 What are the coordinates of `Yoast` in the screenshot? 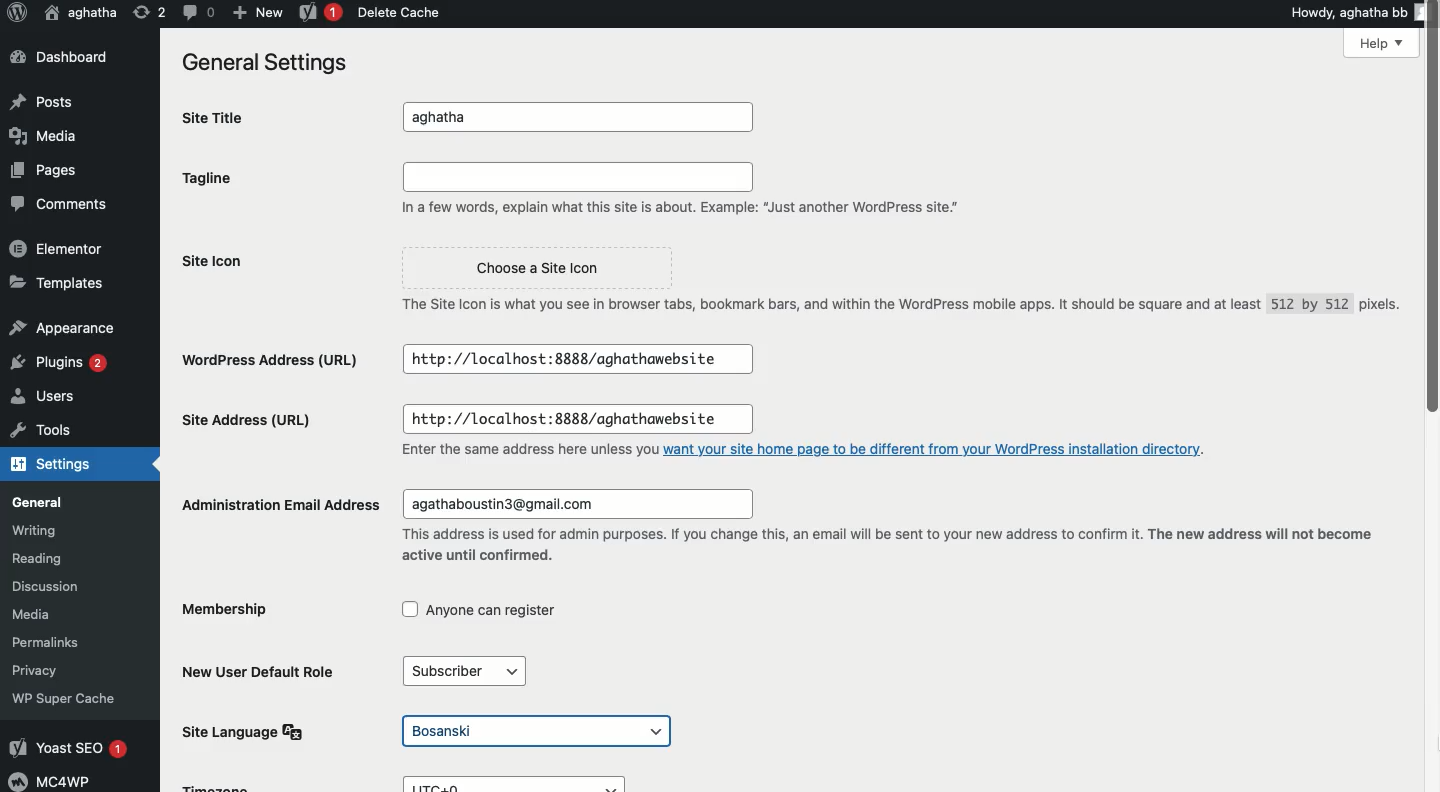 It's located at (321, 11).